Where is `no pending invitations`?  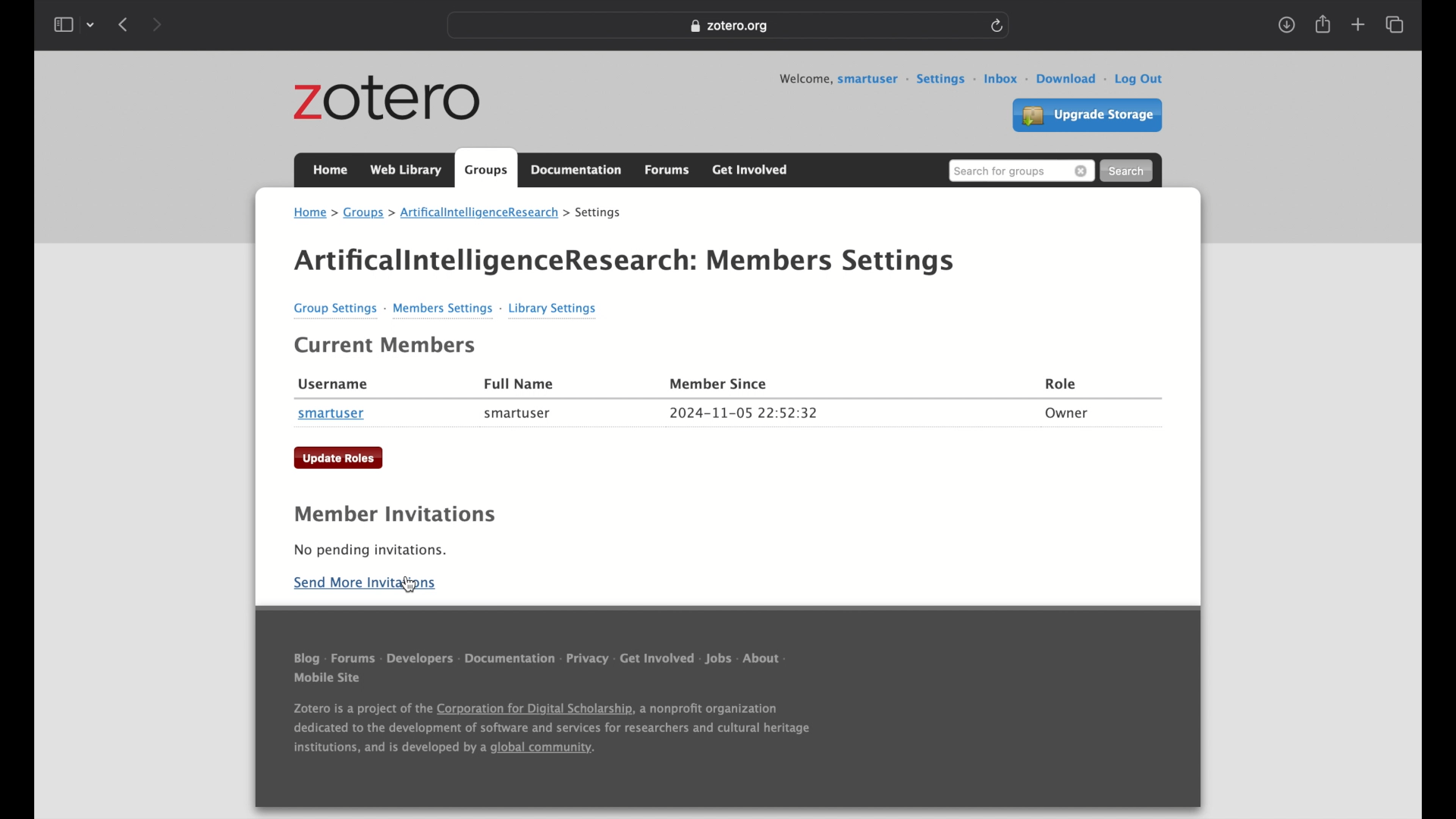 no pending invitations is located at coordinates (371, 551).